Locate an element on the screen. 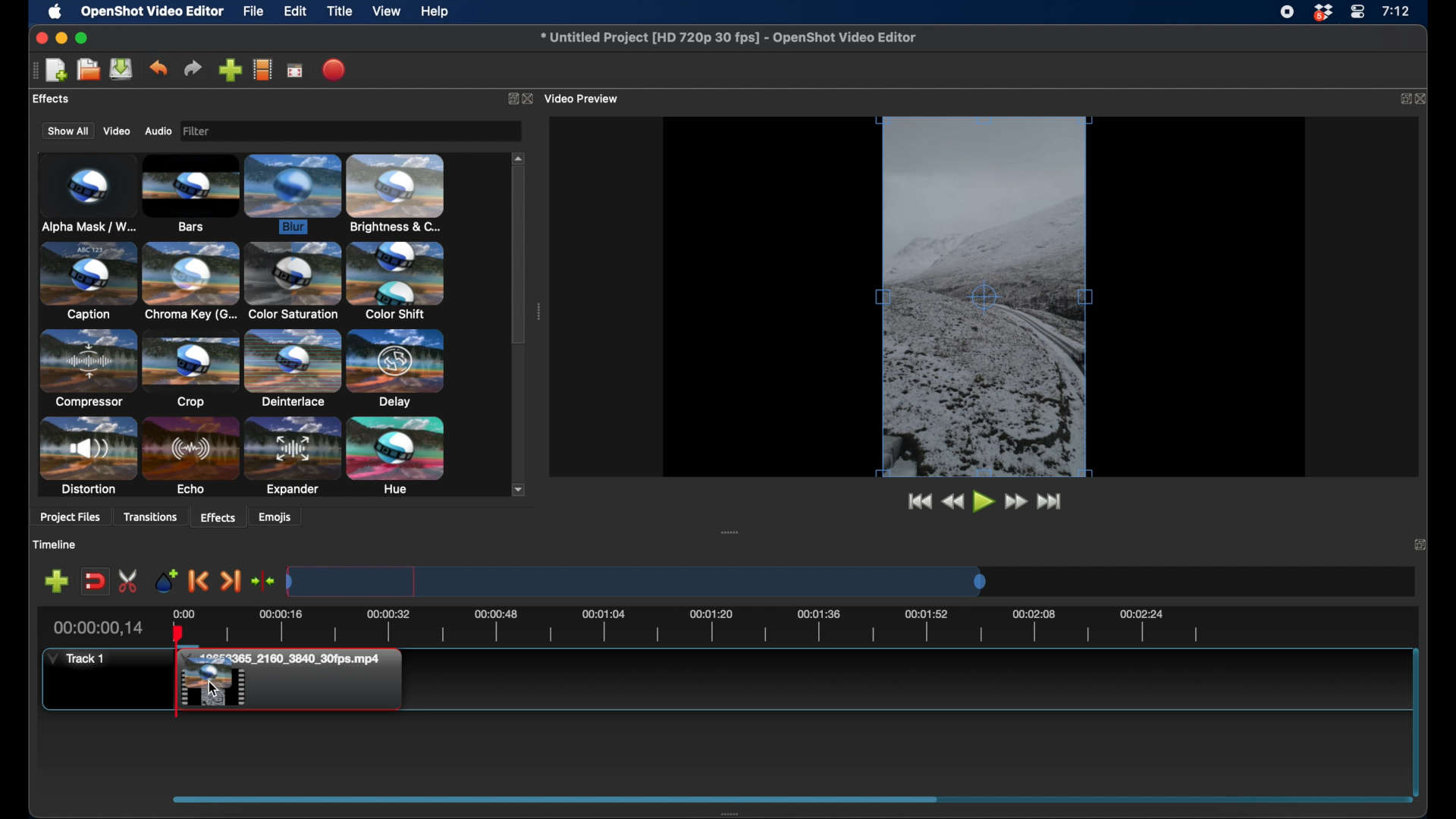 The image size is (1456, 819). fullscreen is located at coordinates (296, 70).